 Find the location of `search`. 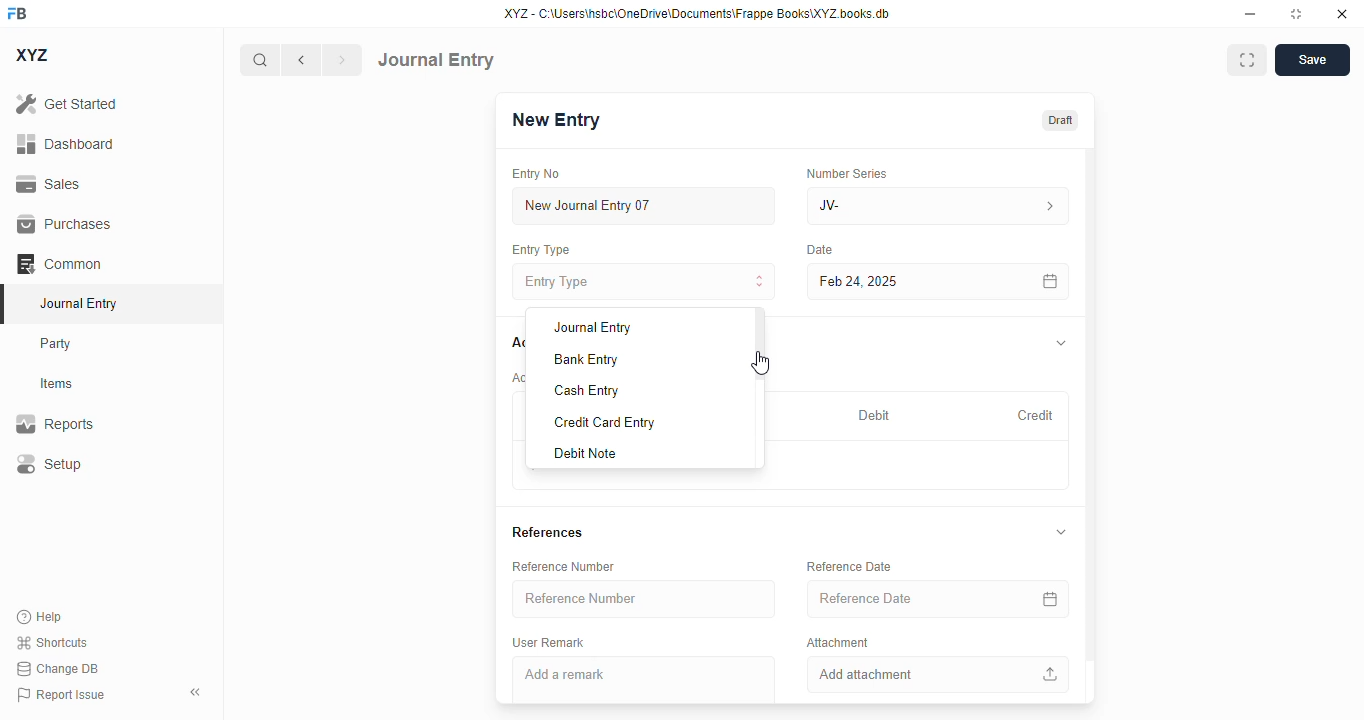

search is located at coordinates (259, 60).